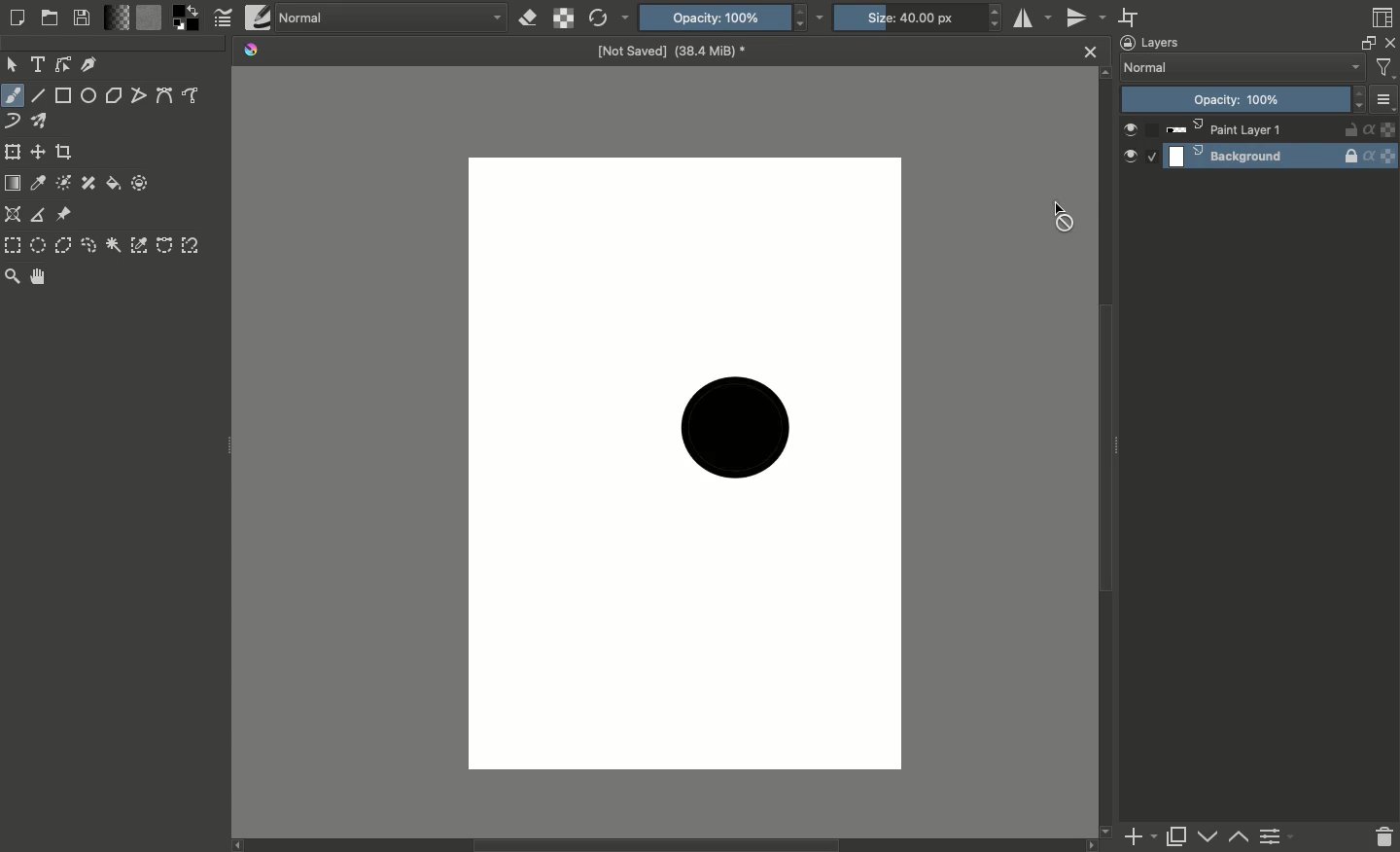 The height and width of the screenshot is (852, 1400). Describe the element at coordinates (69, 214) in the screenshot. I see `Reference images` at that location.